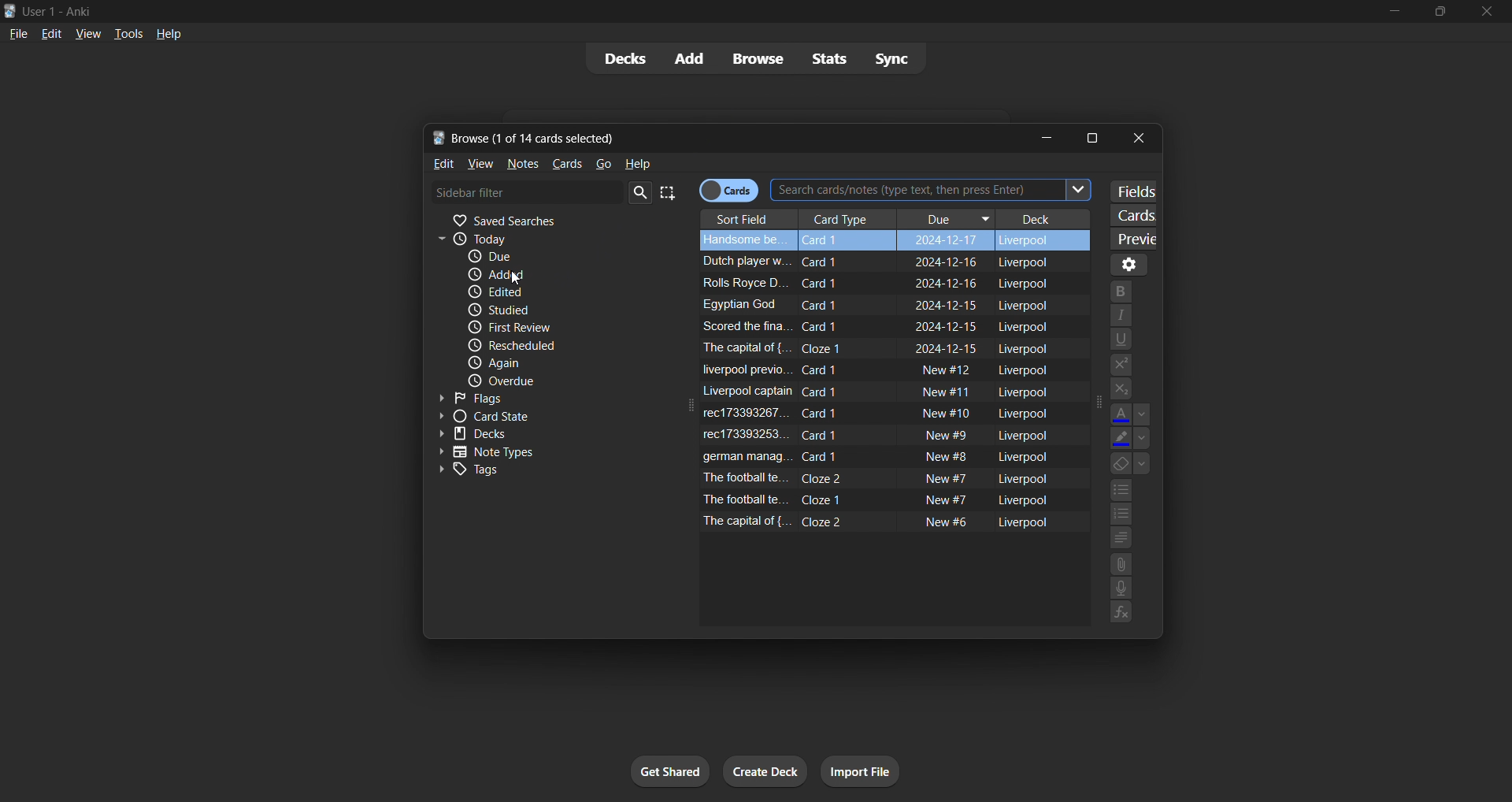 Image resolution: width=1512 pixels, height=802 pixels. I want to click on The capital of {_.. Cloze 2 New #6 Liverpool, so click(873, 522).